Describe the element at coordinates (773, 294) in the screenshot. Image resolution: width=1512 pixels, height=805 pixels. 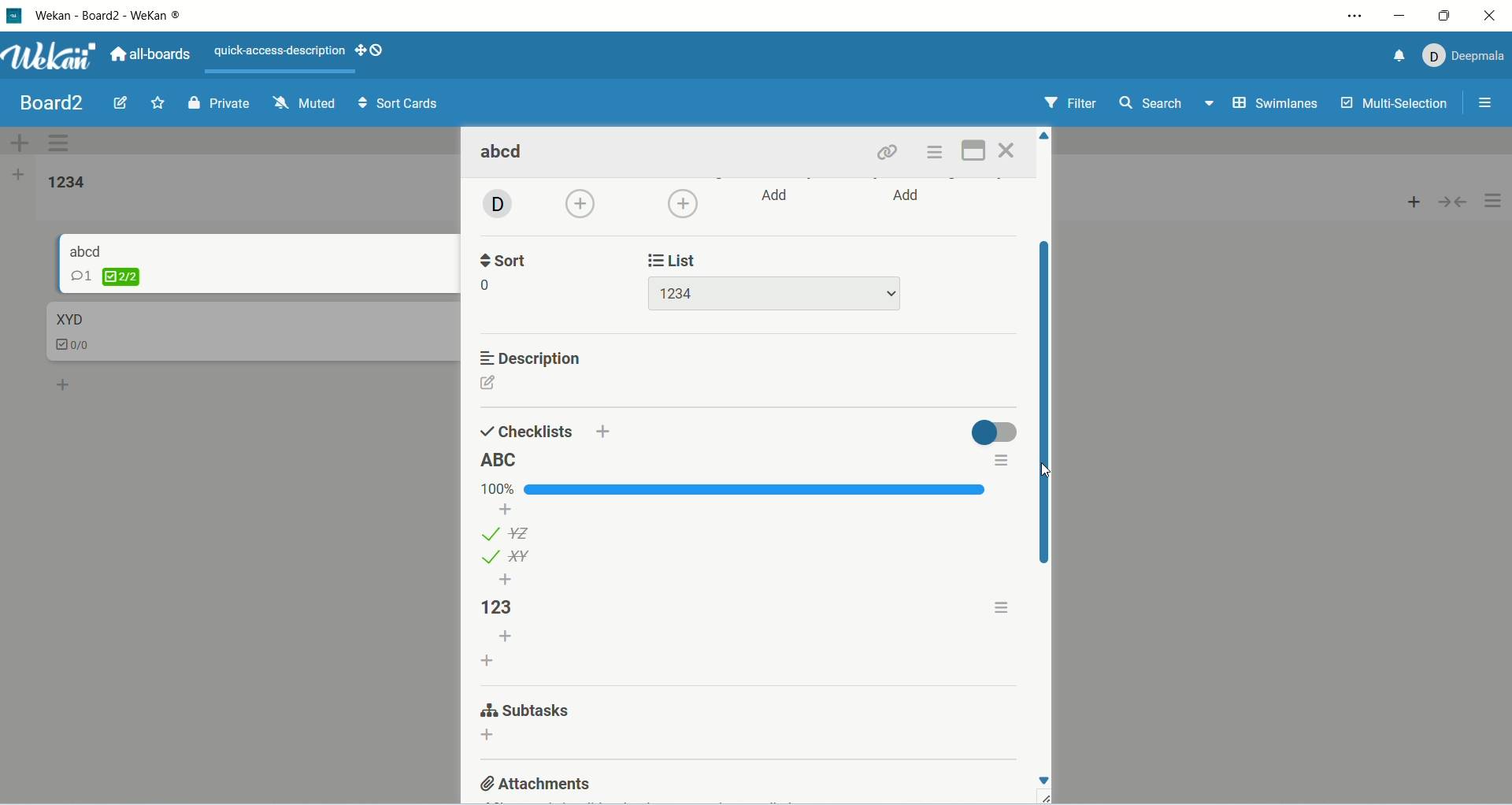
I see `list` at that location.